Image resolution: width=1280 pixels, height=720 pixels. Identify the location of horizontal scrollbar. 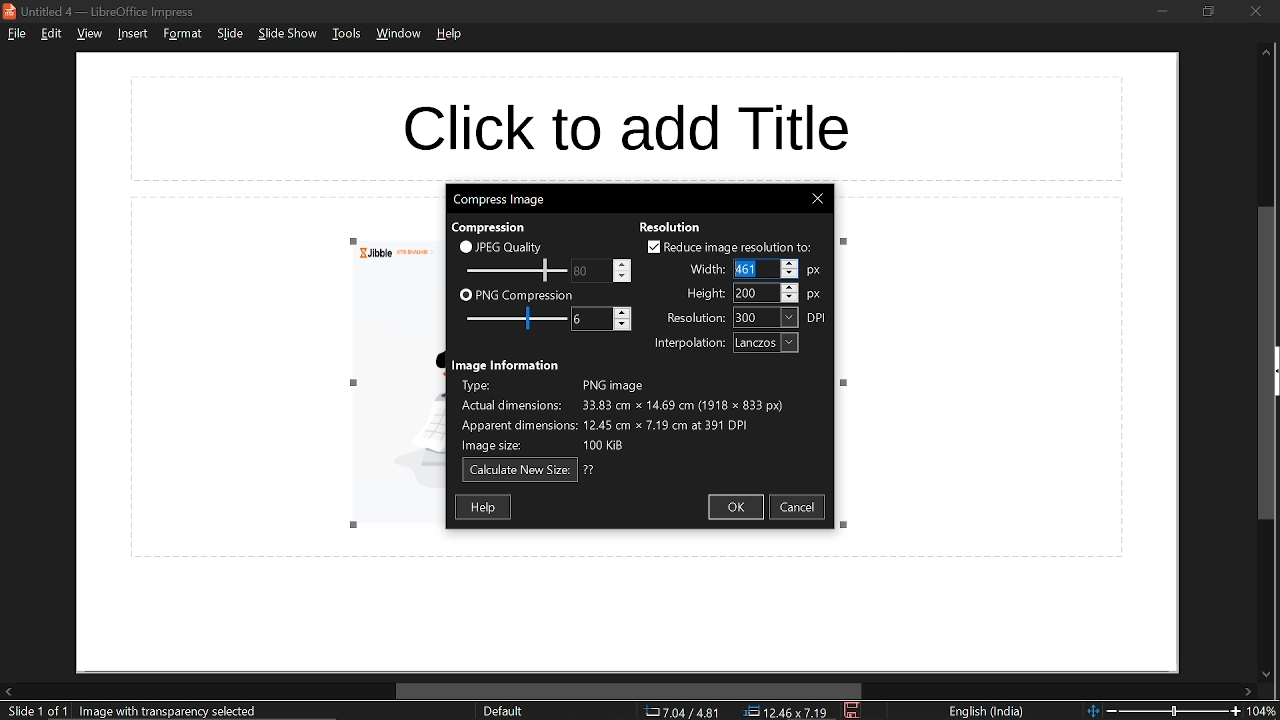
(625, 690).